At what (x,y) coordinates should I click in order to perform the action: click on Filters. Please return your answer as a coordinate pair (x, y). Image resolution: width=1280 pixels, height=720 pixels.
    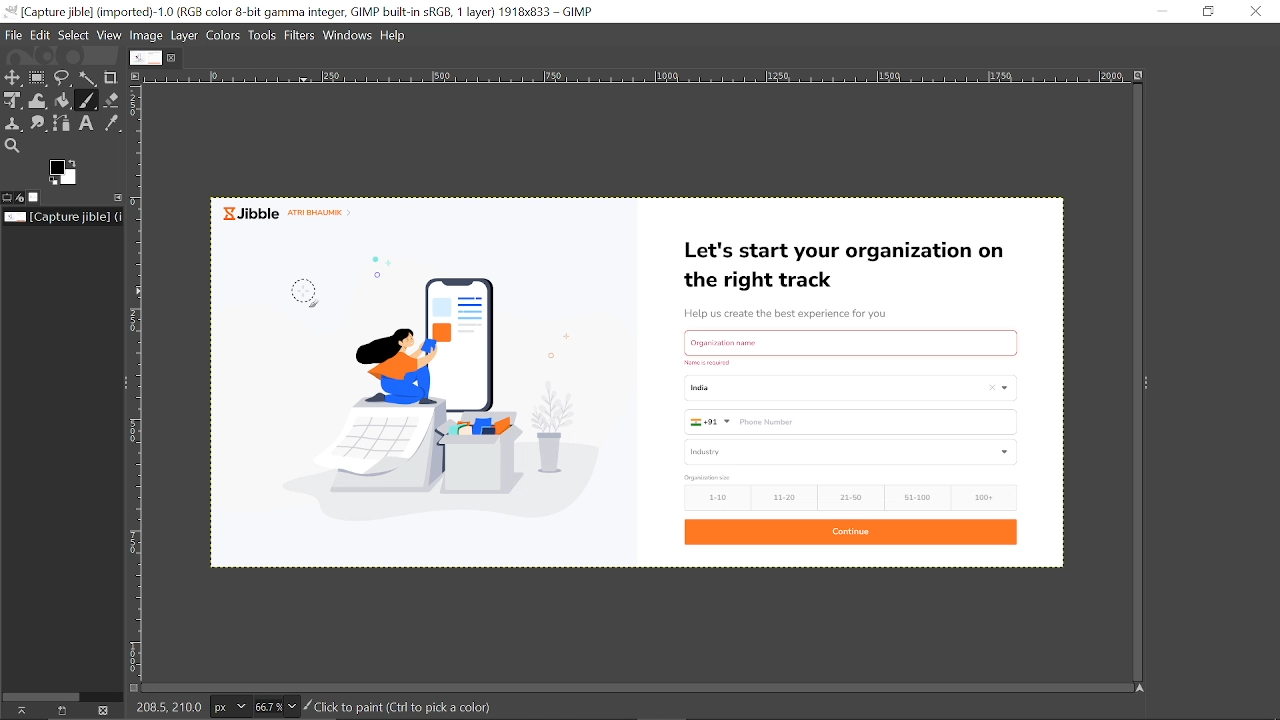
    Looking at the image, I should click on (301, 37).